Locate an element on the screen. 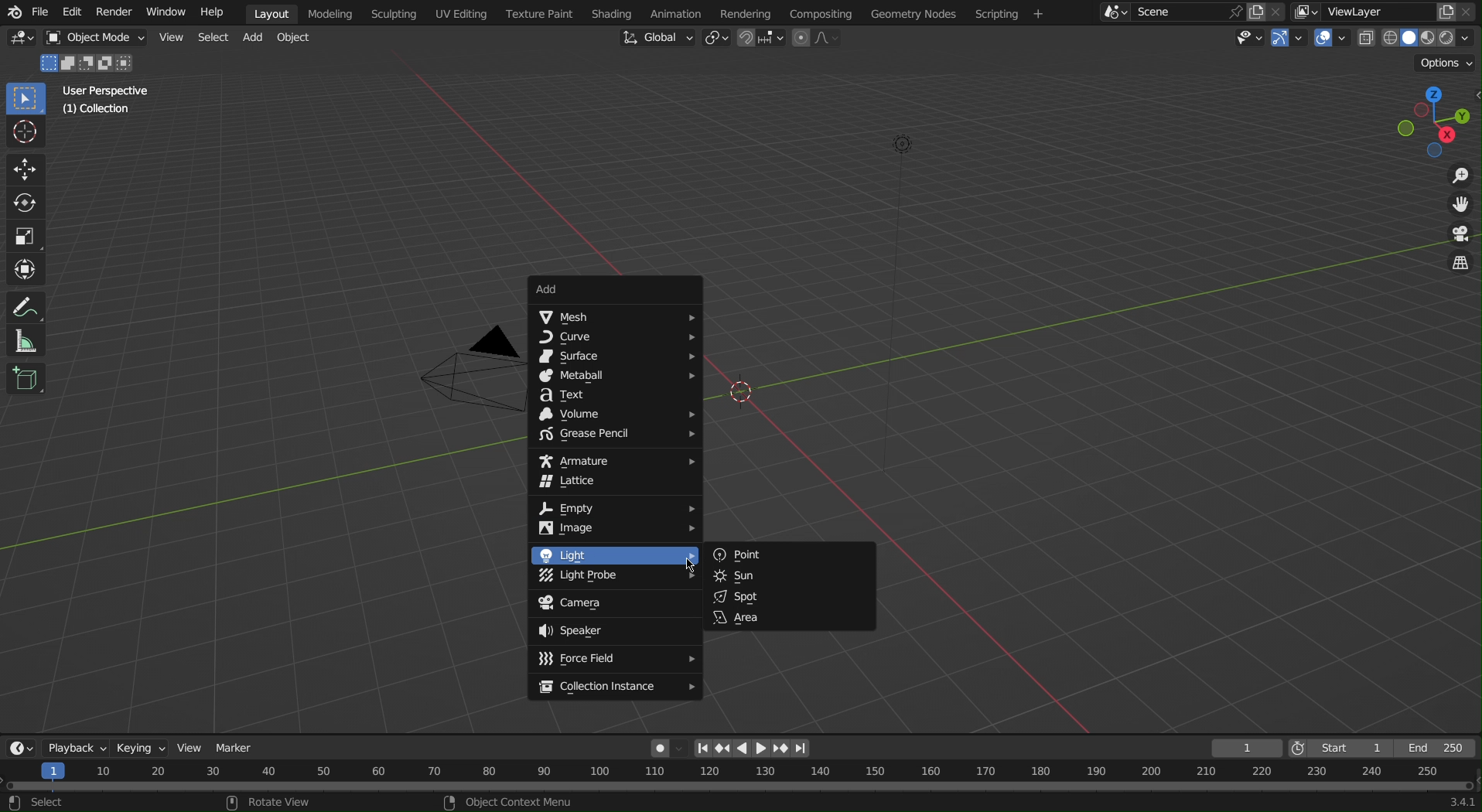  Camera selected is located at coordinates (452, 375).